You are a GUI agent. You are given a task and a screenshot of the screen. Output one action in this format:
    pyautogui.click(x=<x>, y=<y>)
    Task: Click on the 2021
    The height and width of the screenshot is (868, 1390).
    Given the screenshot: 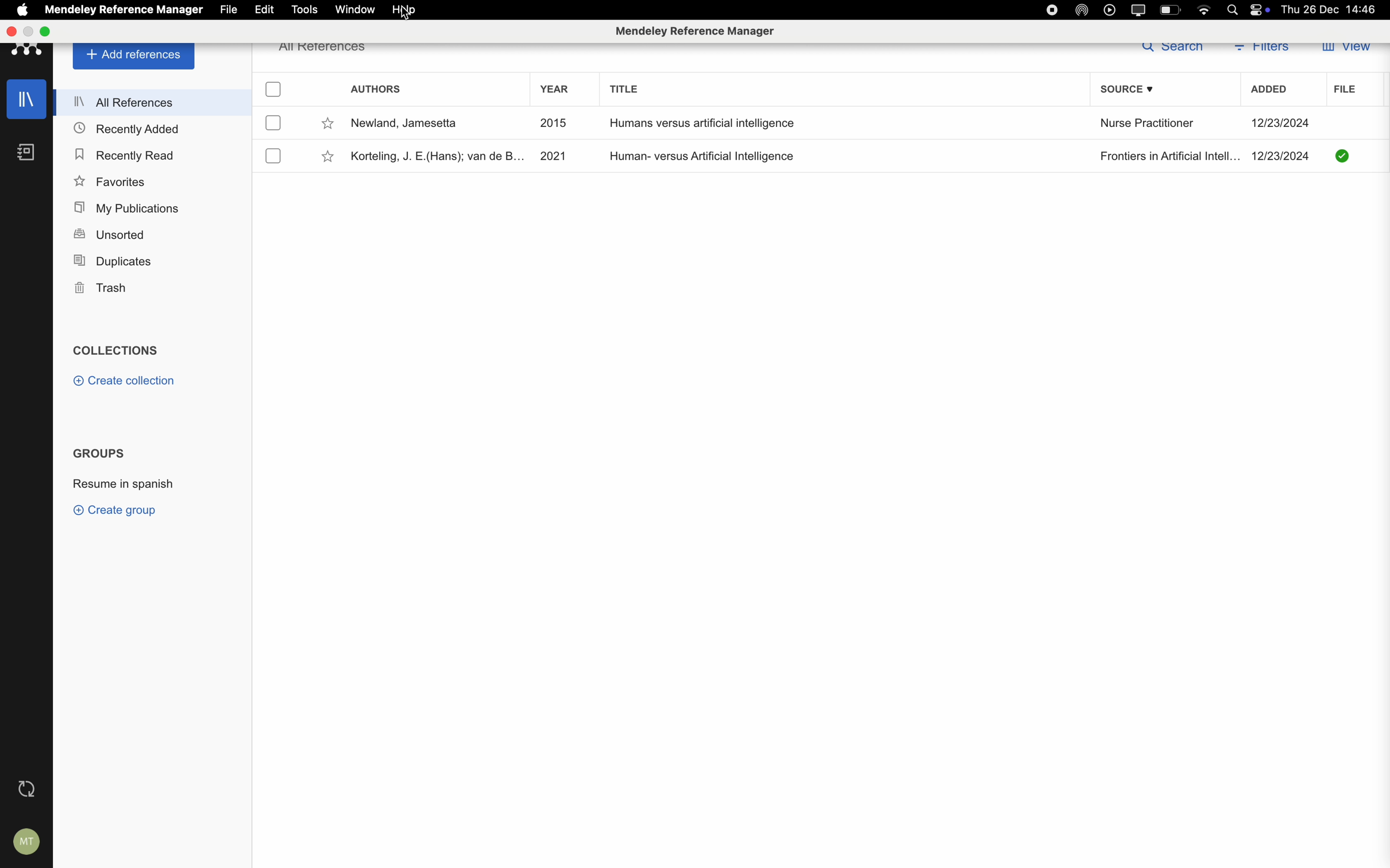 What is the action you would take?
    pyautogui.click(x=553, y=158)
    